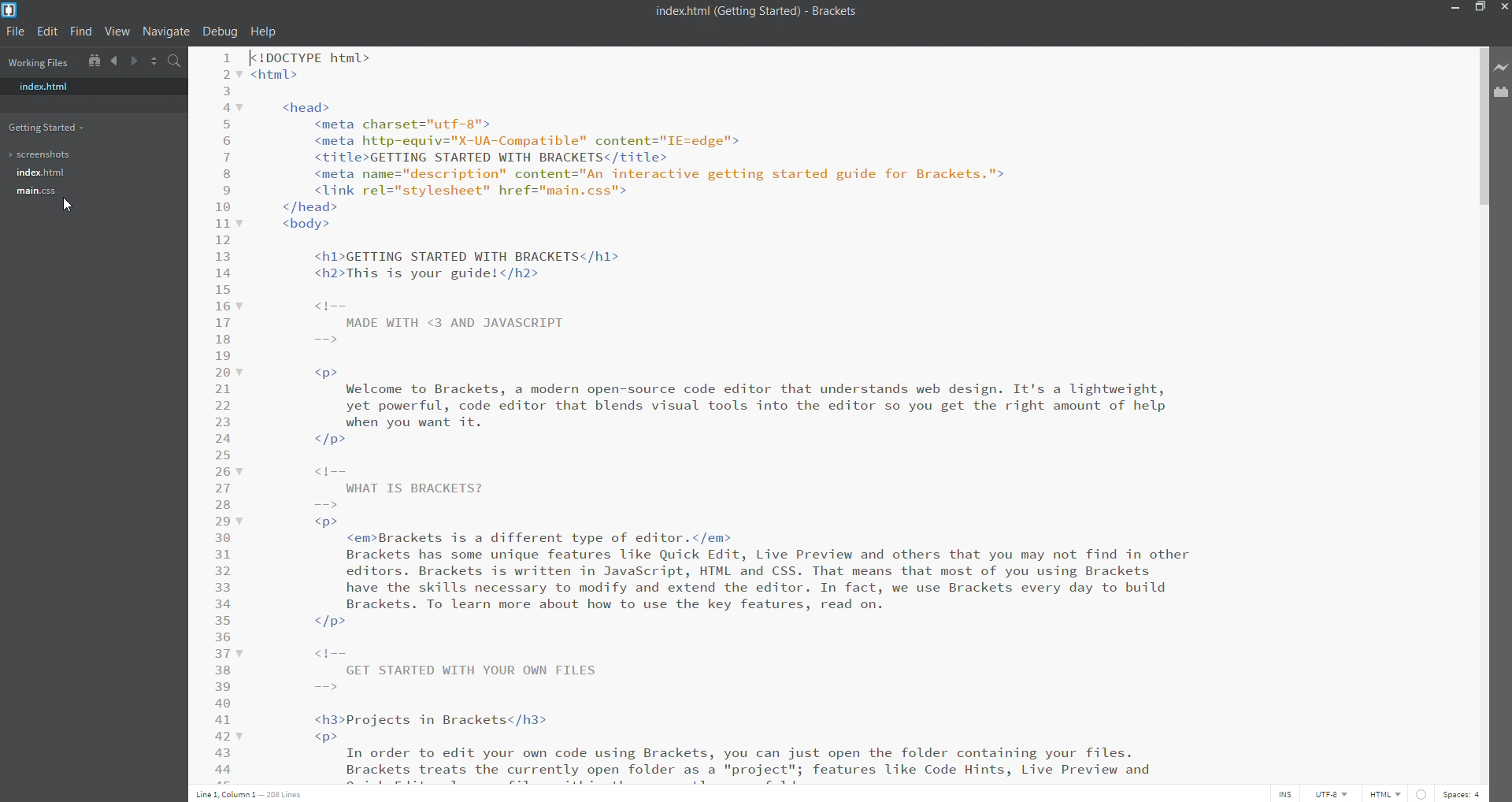 This screenshot has width=1512, height=802. I want to click on index.html, so click(84, 86).